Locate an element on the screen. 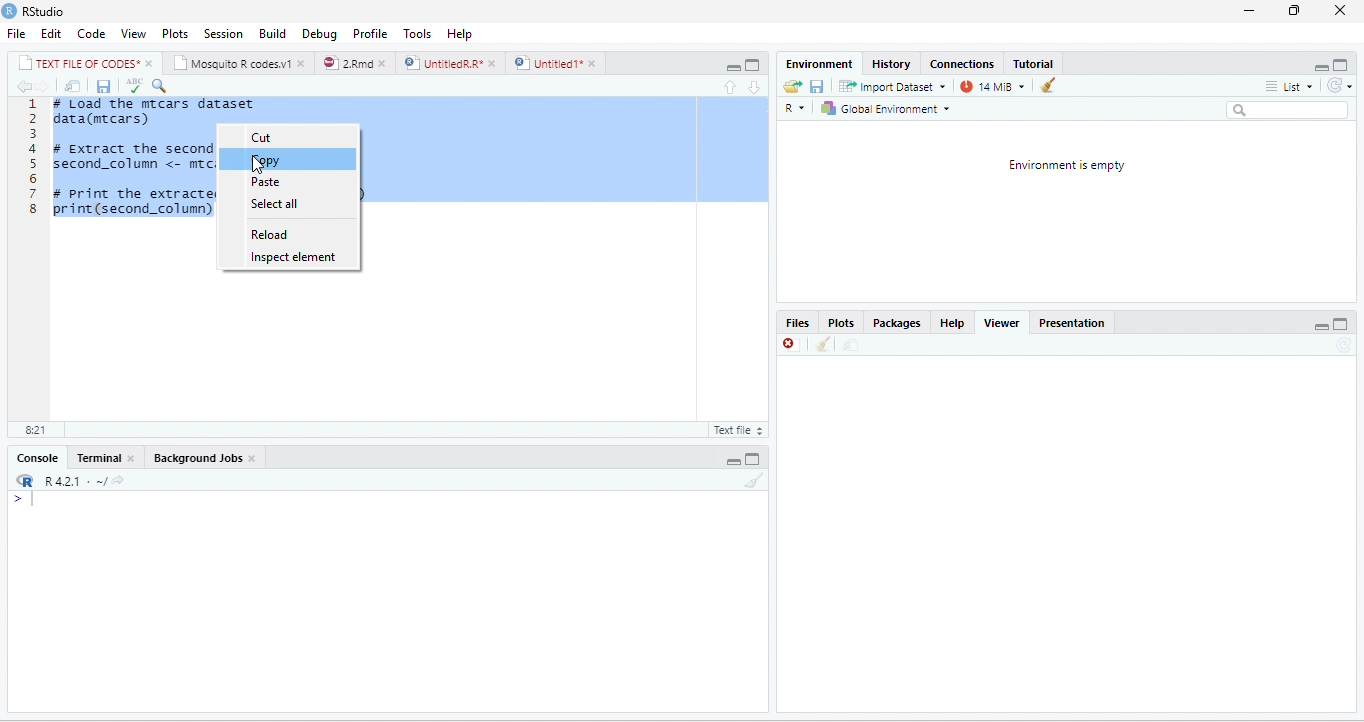 Image resolution: width=1364 pixels, height=722 pixels. next is located at coordinates (46, 87).